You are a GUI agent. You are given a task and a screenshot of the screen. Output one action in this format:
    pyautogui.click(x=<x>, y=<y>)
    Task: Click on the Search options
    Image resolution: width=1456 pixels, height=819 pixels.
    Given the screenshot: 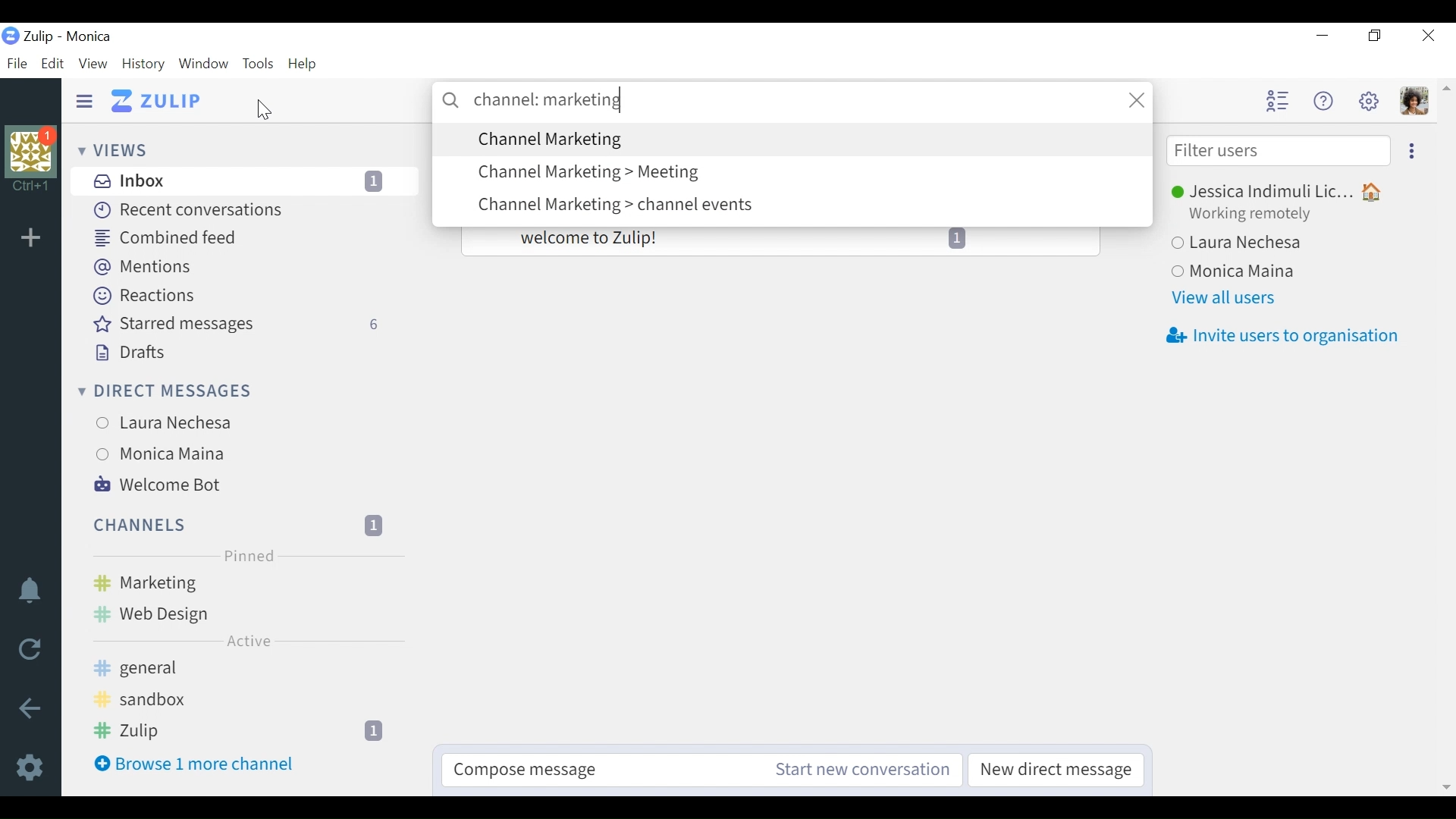 What is the action you would take?
    pyautogui.click(x=799, y=174)
    